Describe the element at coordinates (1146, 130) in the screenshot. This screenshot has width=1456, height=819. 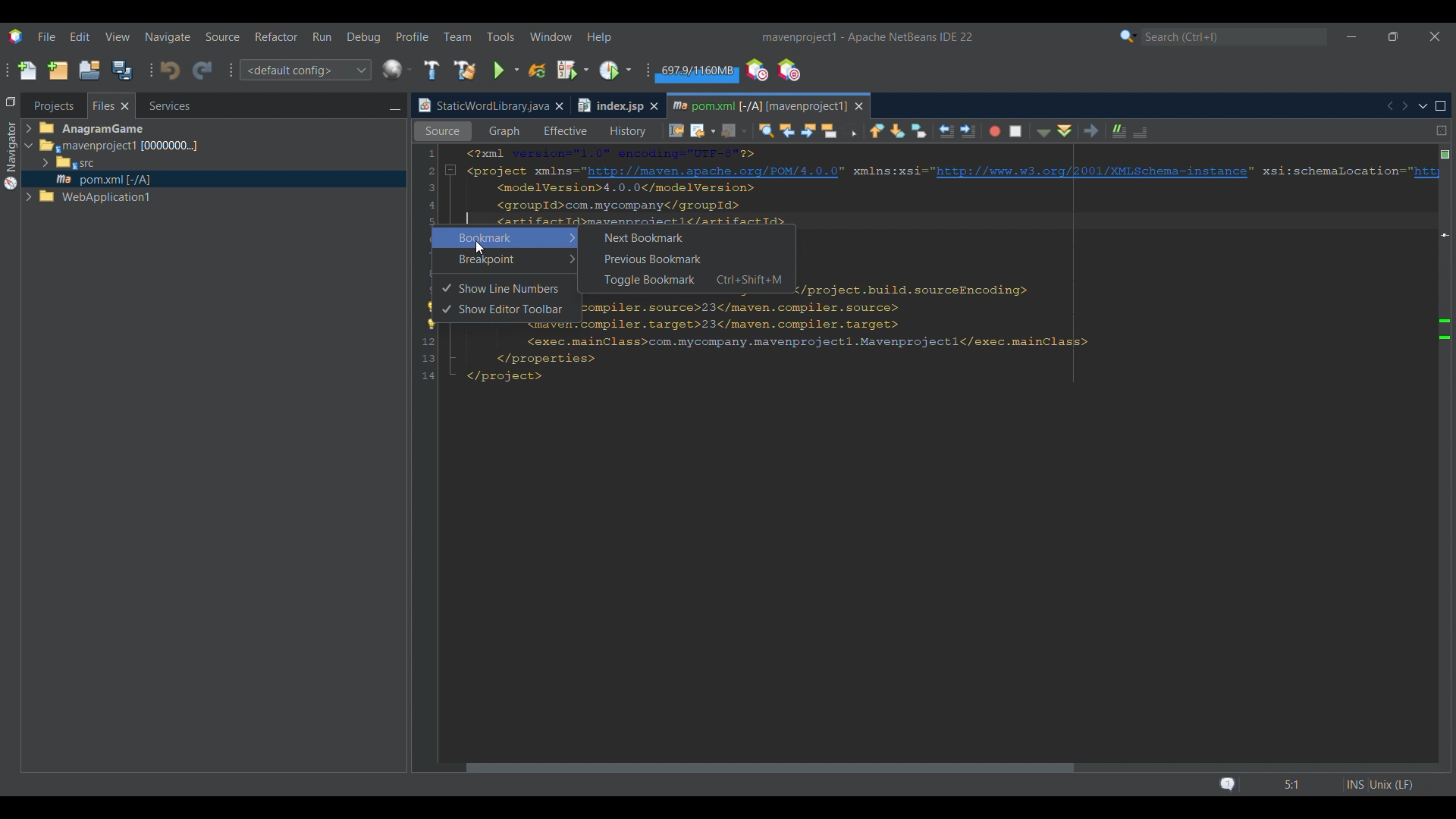
I see `Uncomment` at that location.